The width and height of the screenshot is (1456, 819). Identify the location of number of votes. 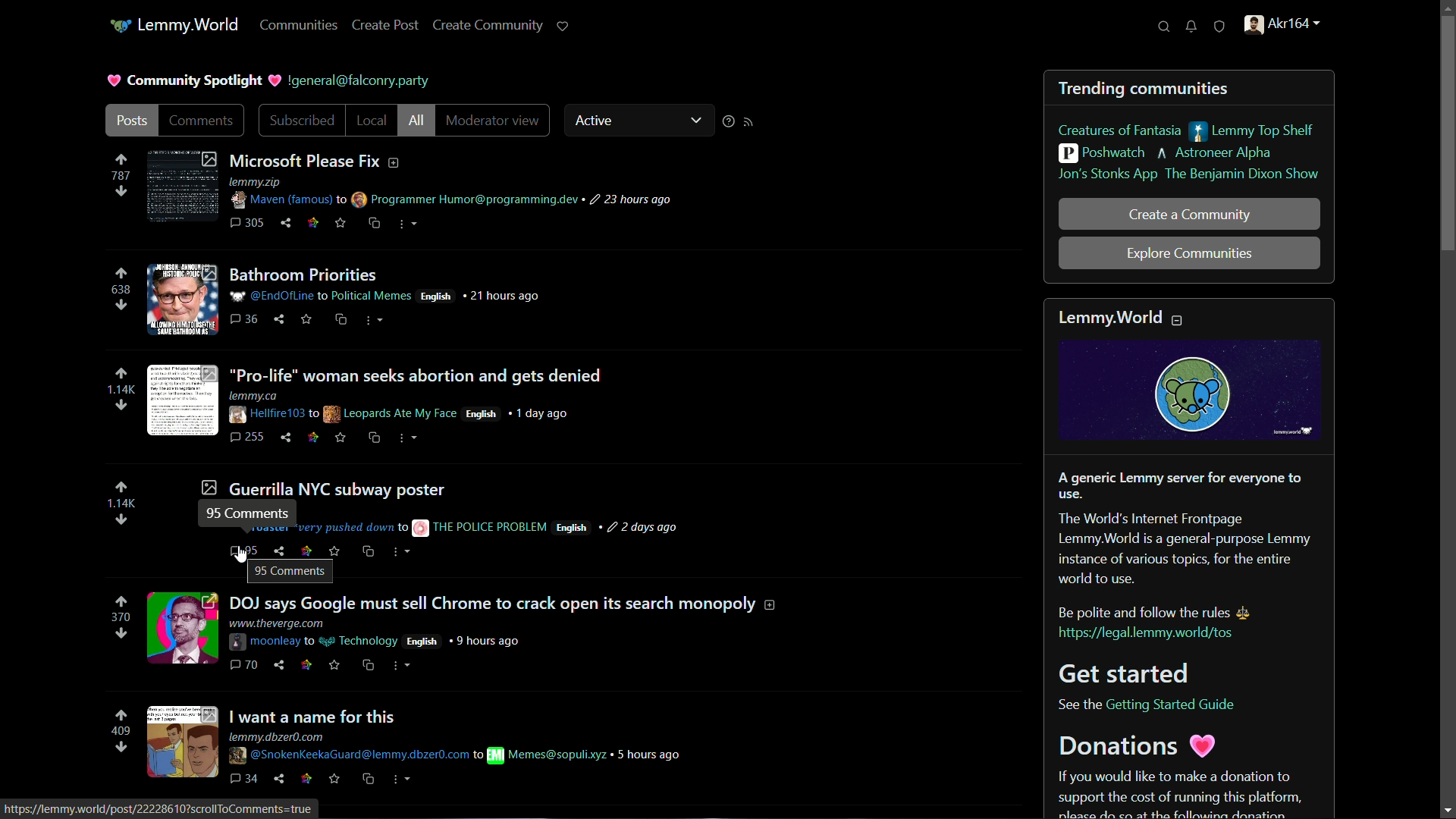
(122, 174).